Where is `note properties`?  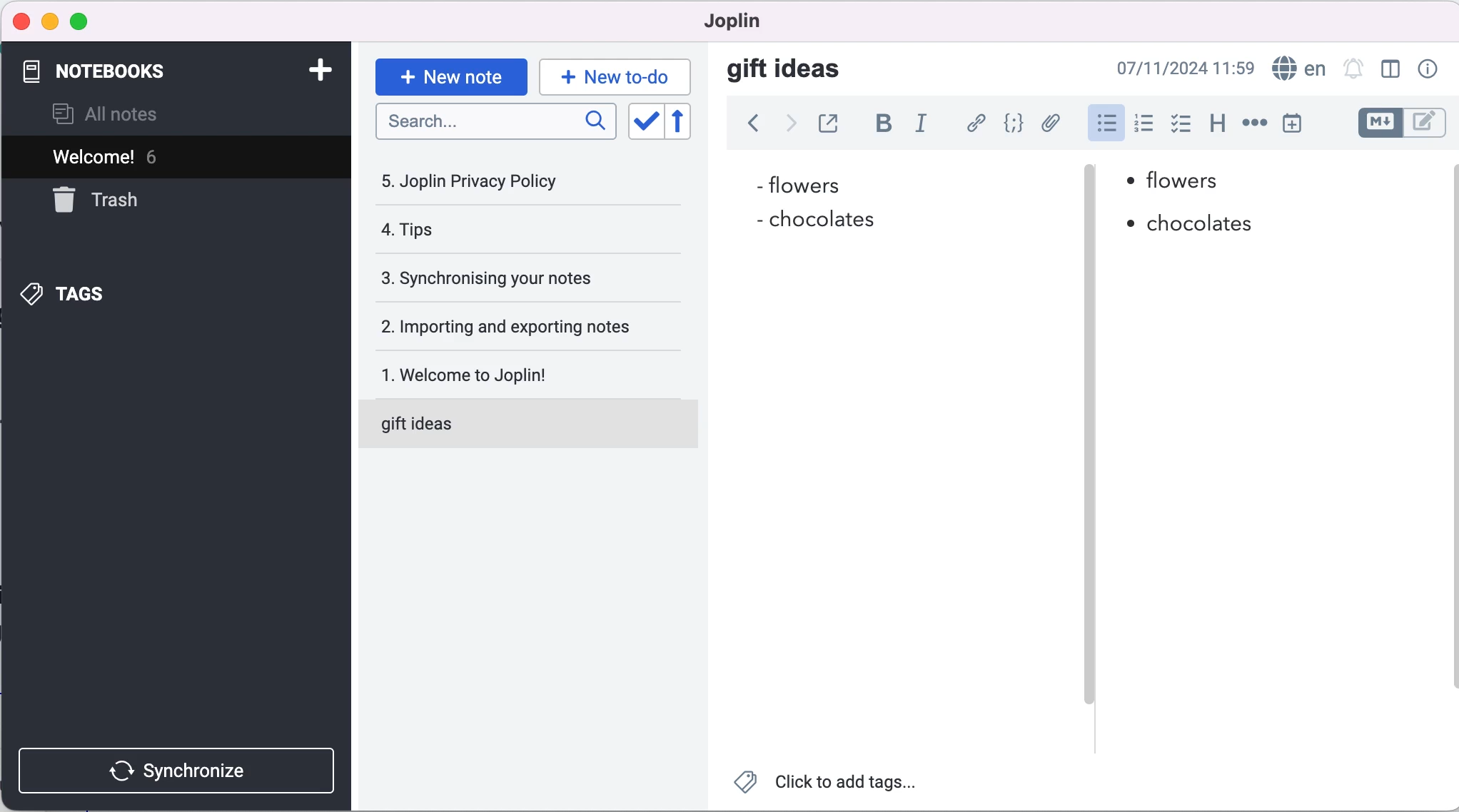 note properties is located at coordinates (1426, 70).